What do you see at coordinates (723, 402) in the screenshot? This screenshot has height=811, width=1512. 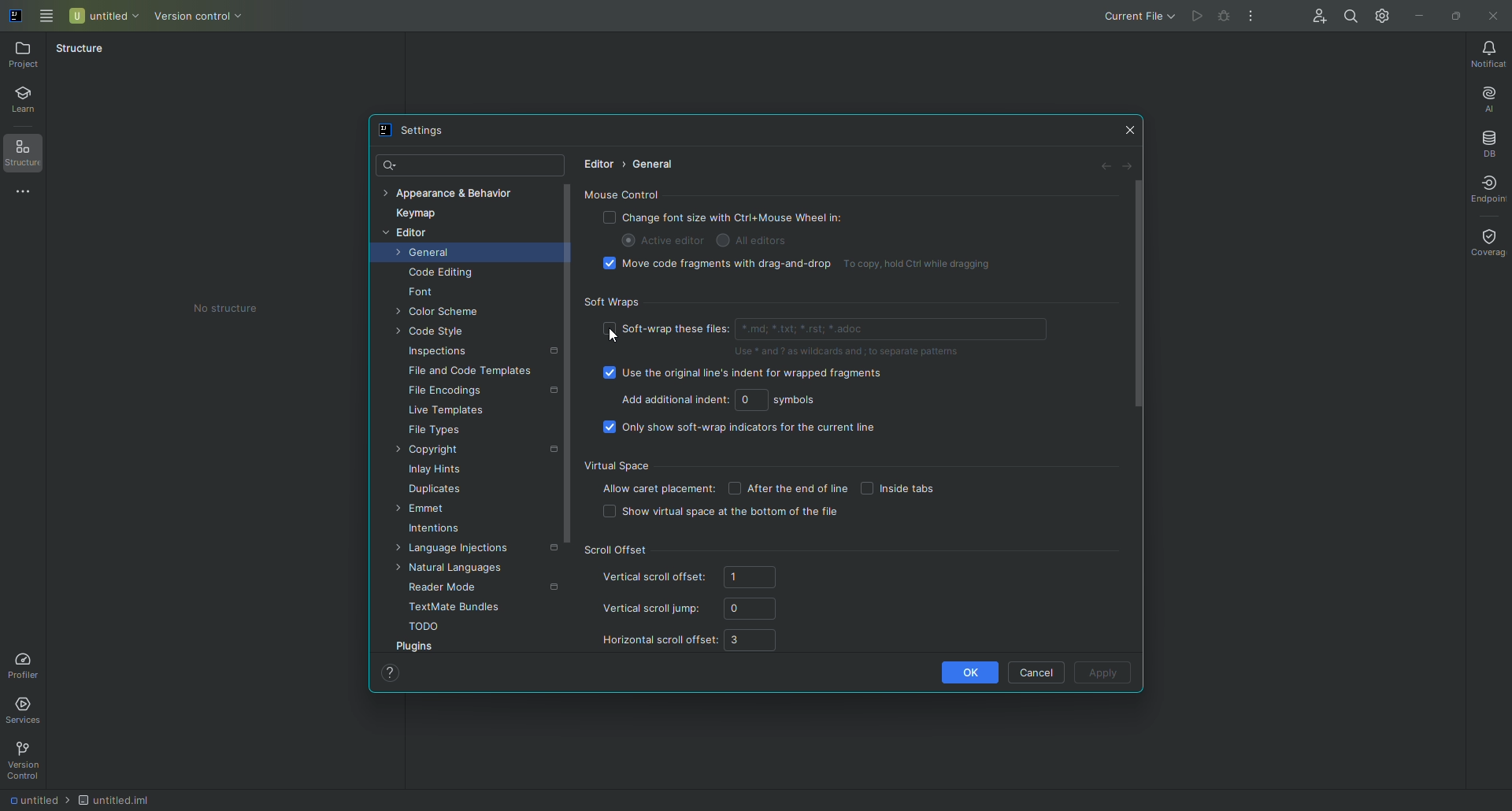 I see `Add additional indent` at bounding box center [723, 402].